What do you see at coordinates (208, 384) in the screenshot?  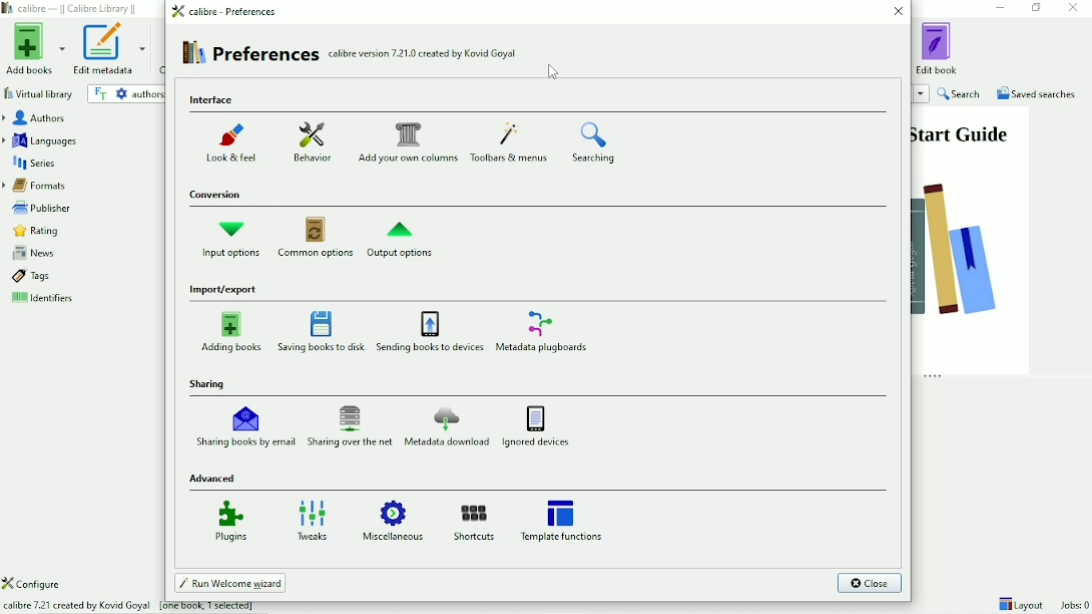 I see `Sharing` at bounding box center [208, 384].